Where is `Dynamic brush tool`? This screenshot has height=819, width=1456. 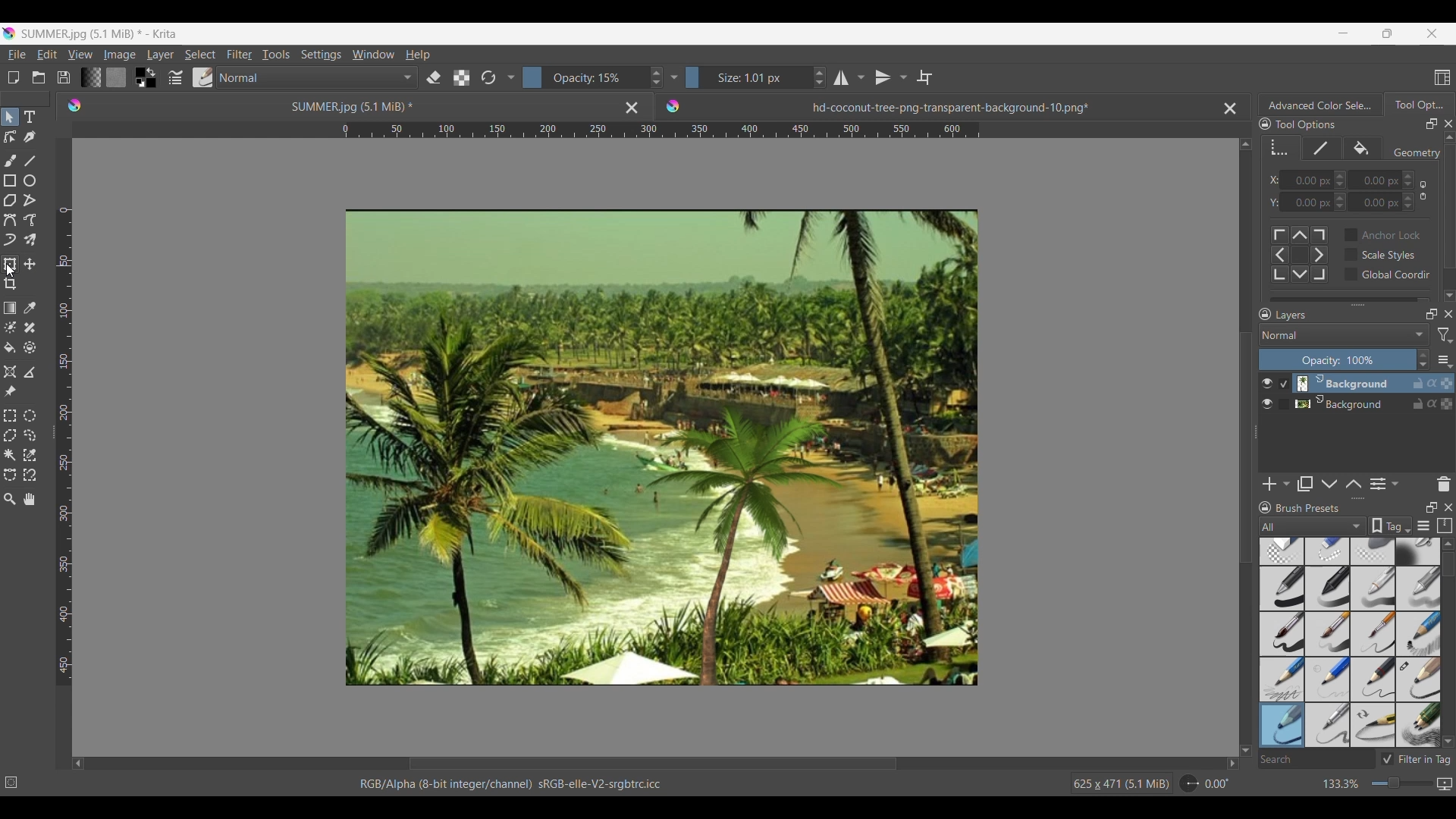
Dynamic brush tool is located at coordinates (10, 240).